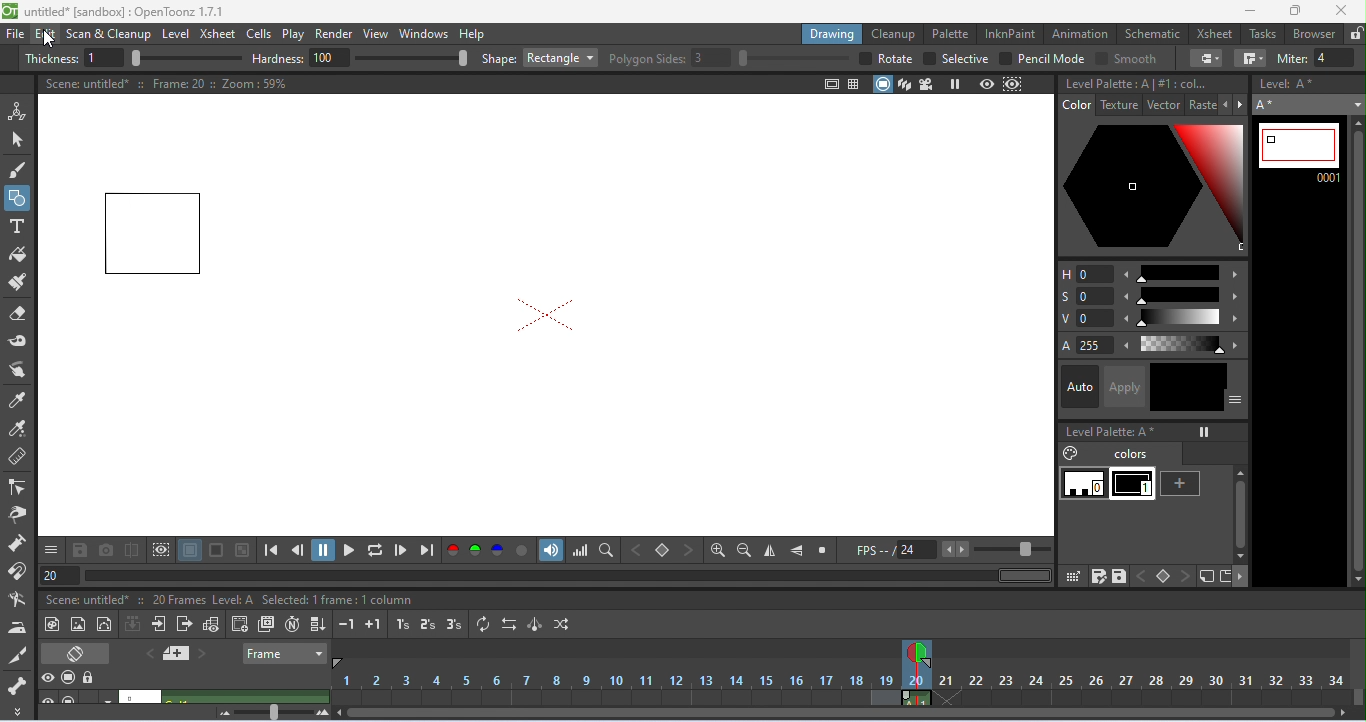 This screenshot has width=1366, height=722. Describe the element at coordinates (1081, 483) in the screenshot. I see `0` at that location.